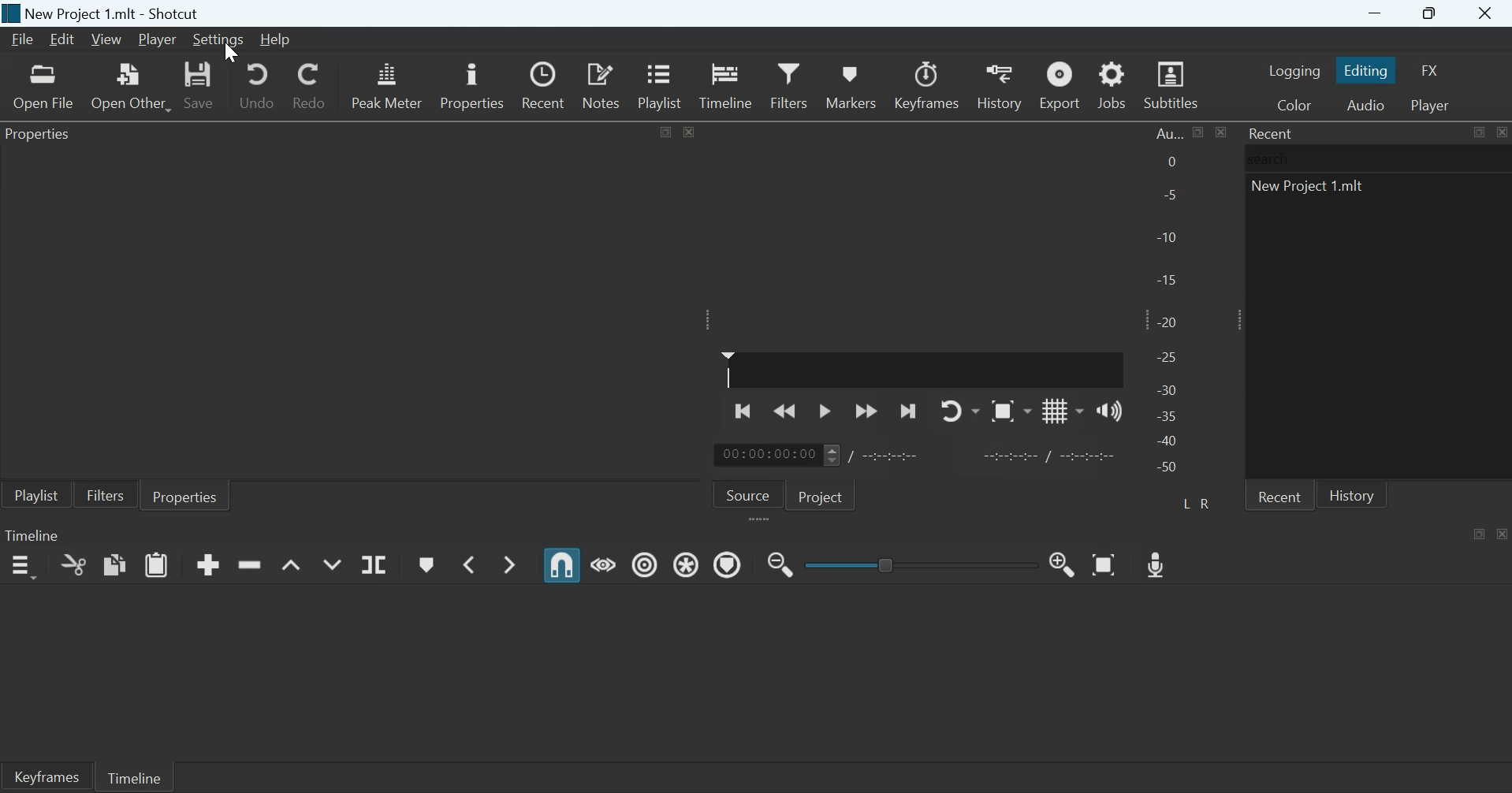  Describe the element at coordinates (512, 564) in the screenshot. I see `Next marker` at that location.